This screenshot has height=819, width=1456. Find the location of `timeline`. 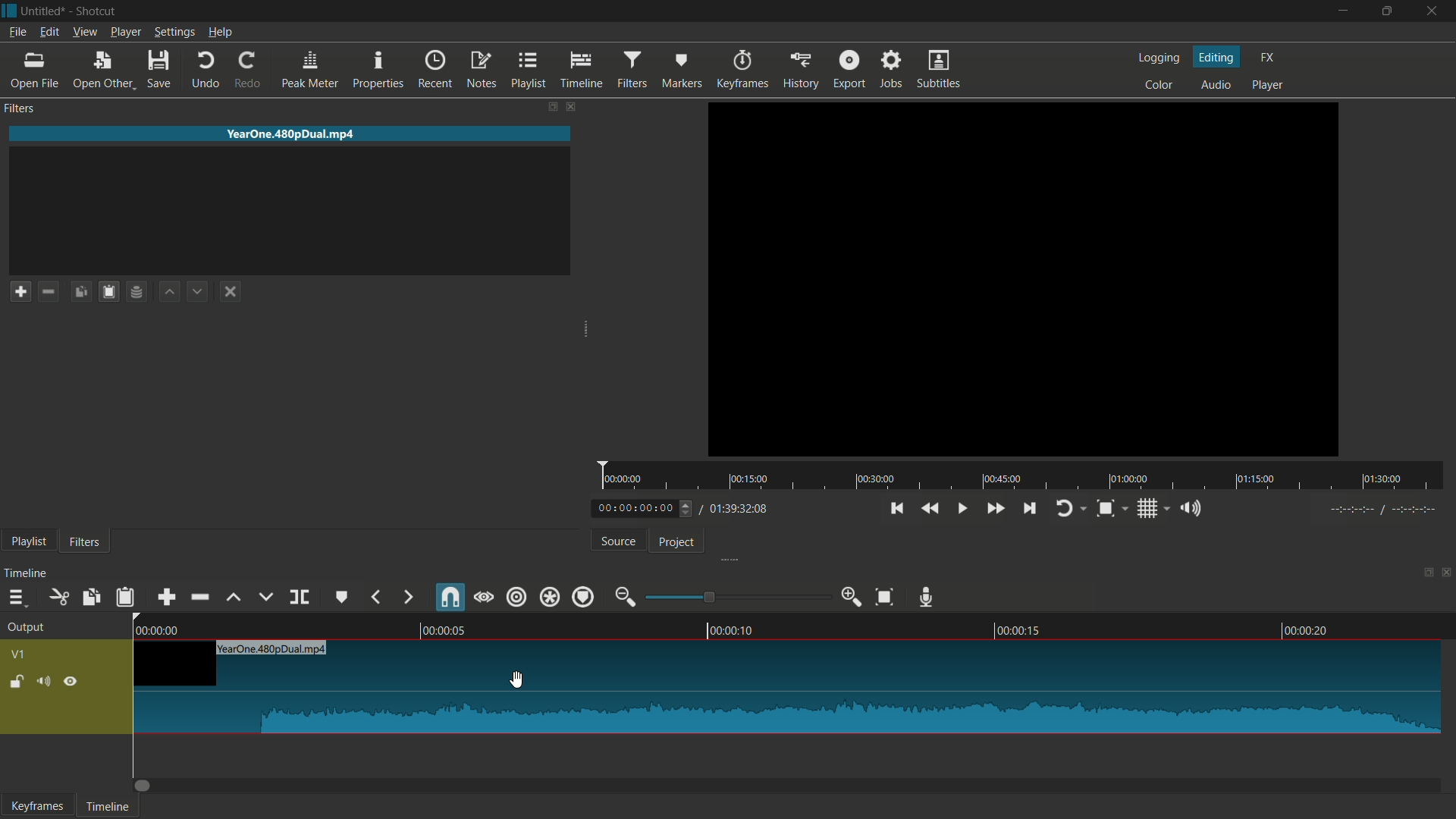

timeline is located at coordinates (582, 70).